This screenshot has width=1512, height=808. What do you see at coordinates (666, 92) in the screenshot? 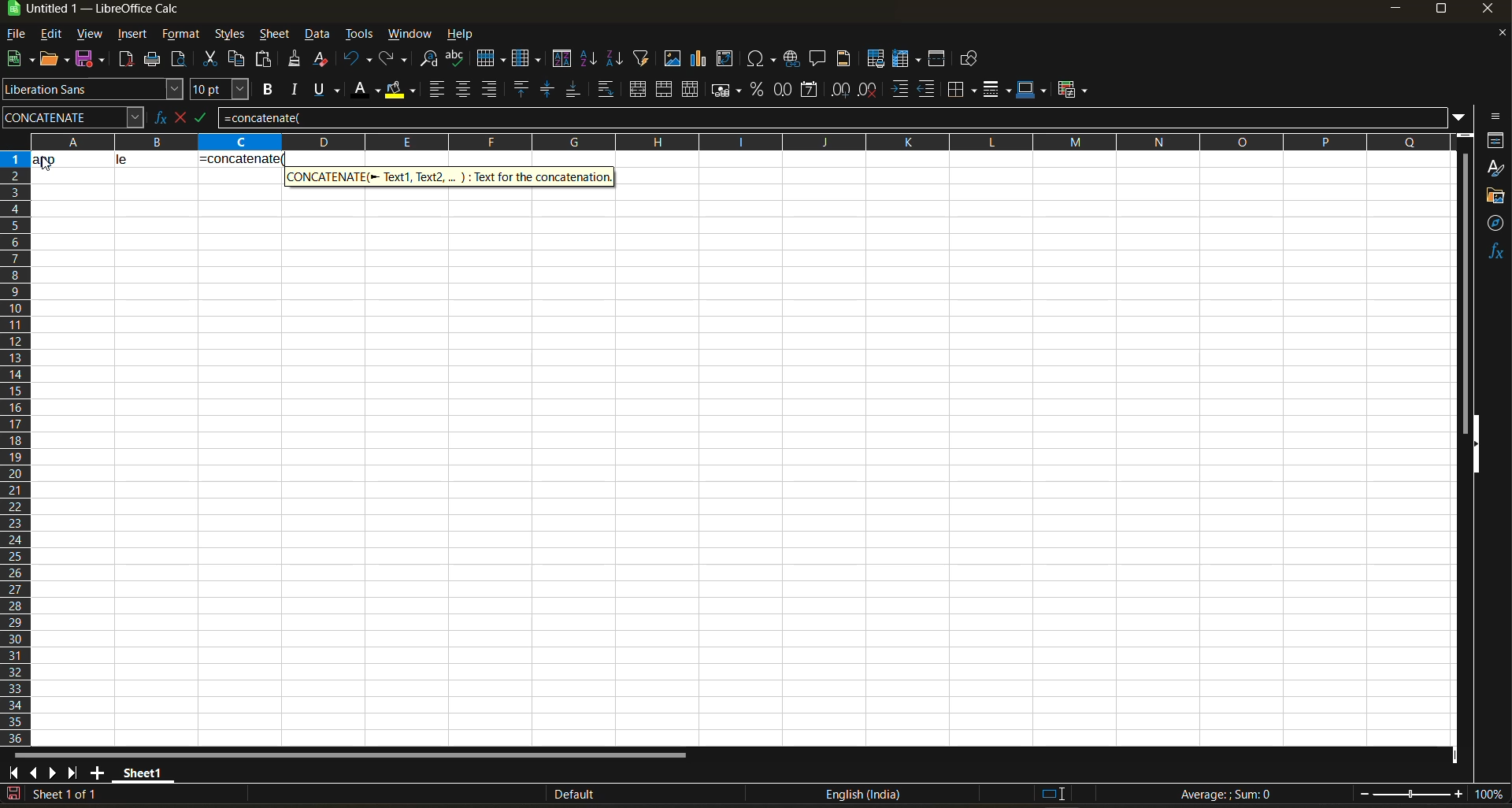
I see `merge cells` at bounding box center [666, 92].